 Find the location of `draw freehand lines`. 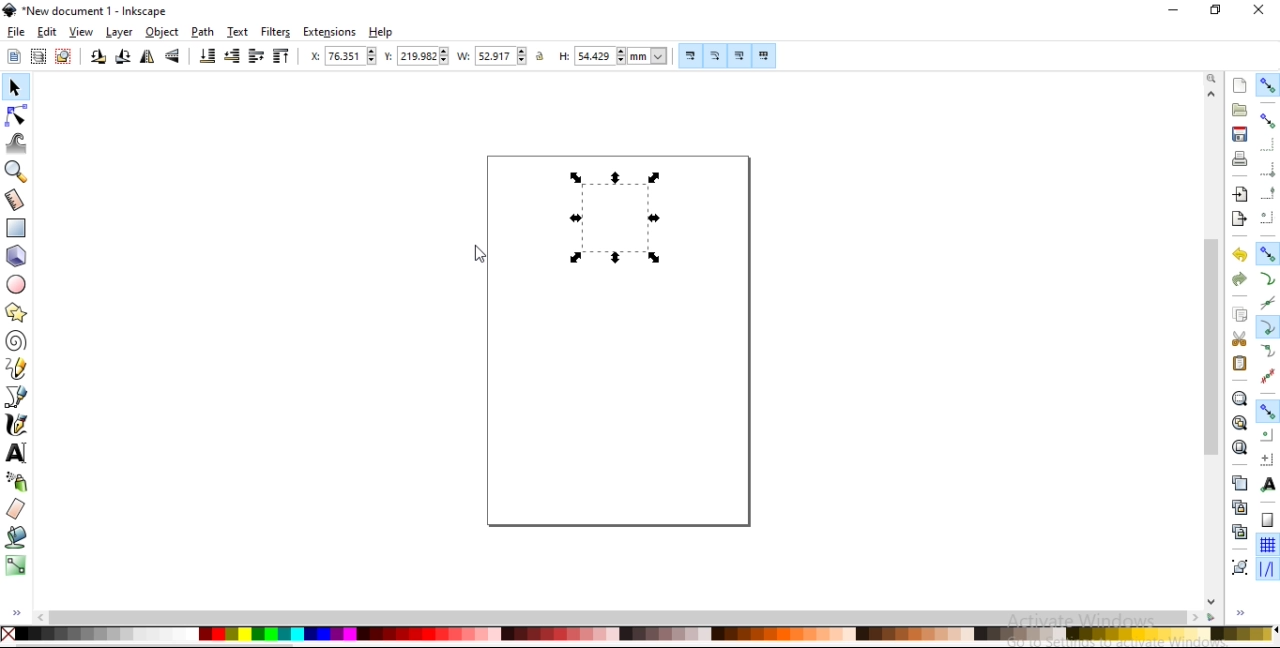

draw freehand lines is located at coordinates (15, 370).